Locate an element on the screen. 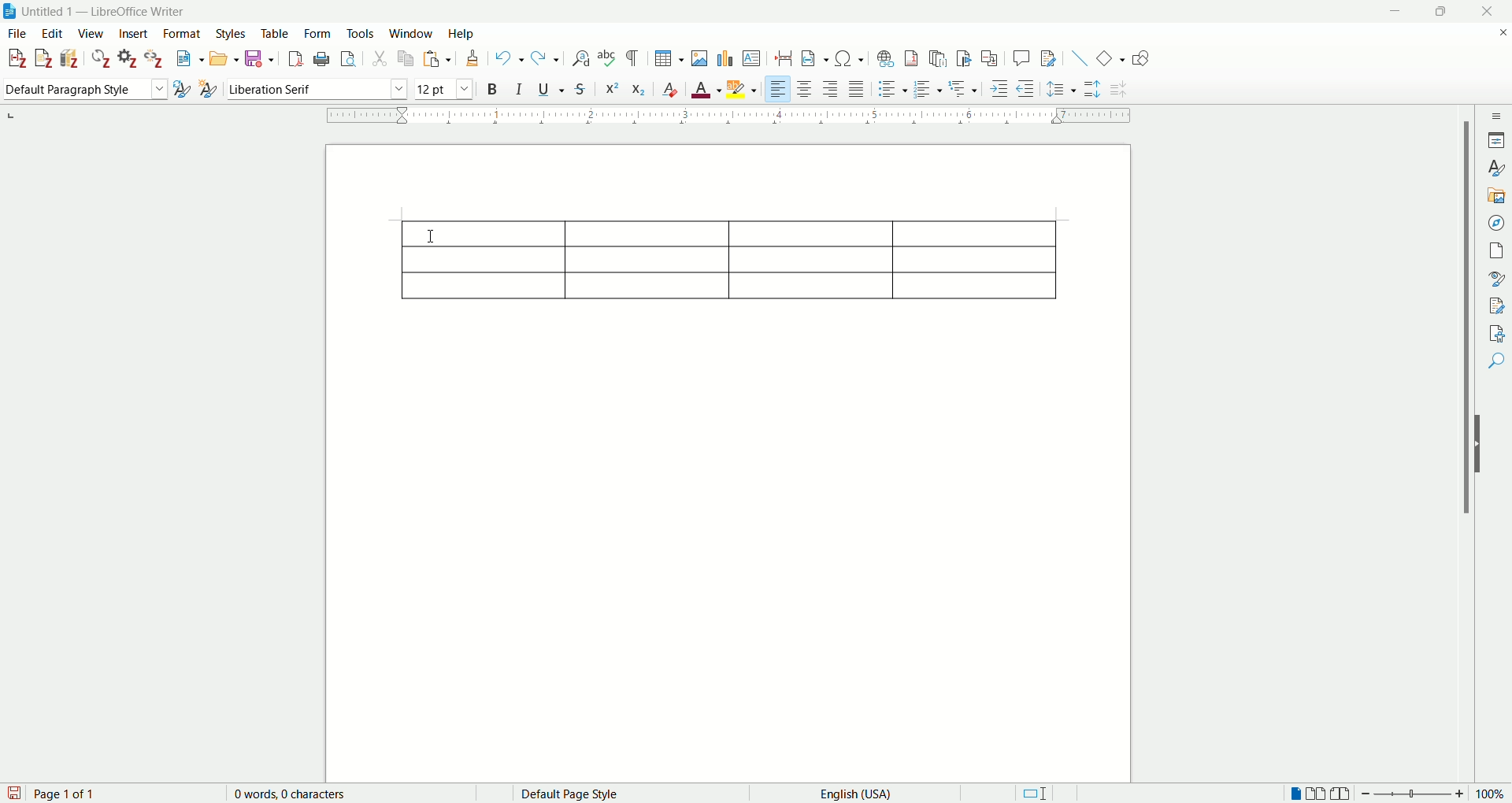 This screenshot has width=1512, height=803. superscript is located at coordinates (611, 89).